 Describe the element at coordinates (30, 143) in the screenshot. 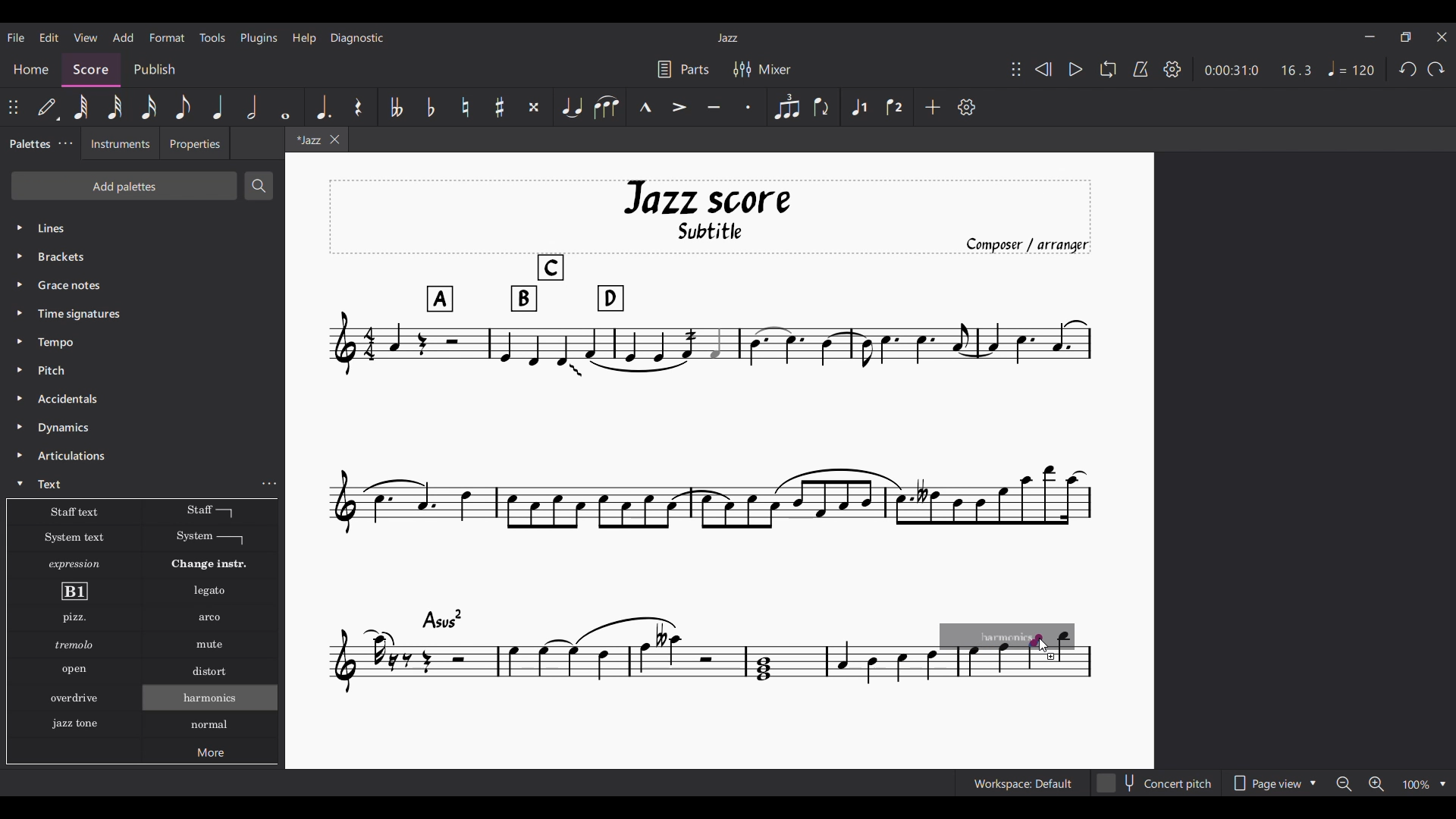

I see `Palettes` at that location.